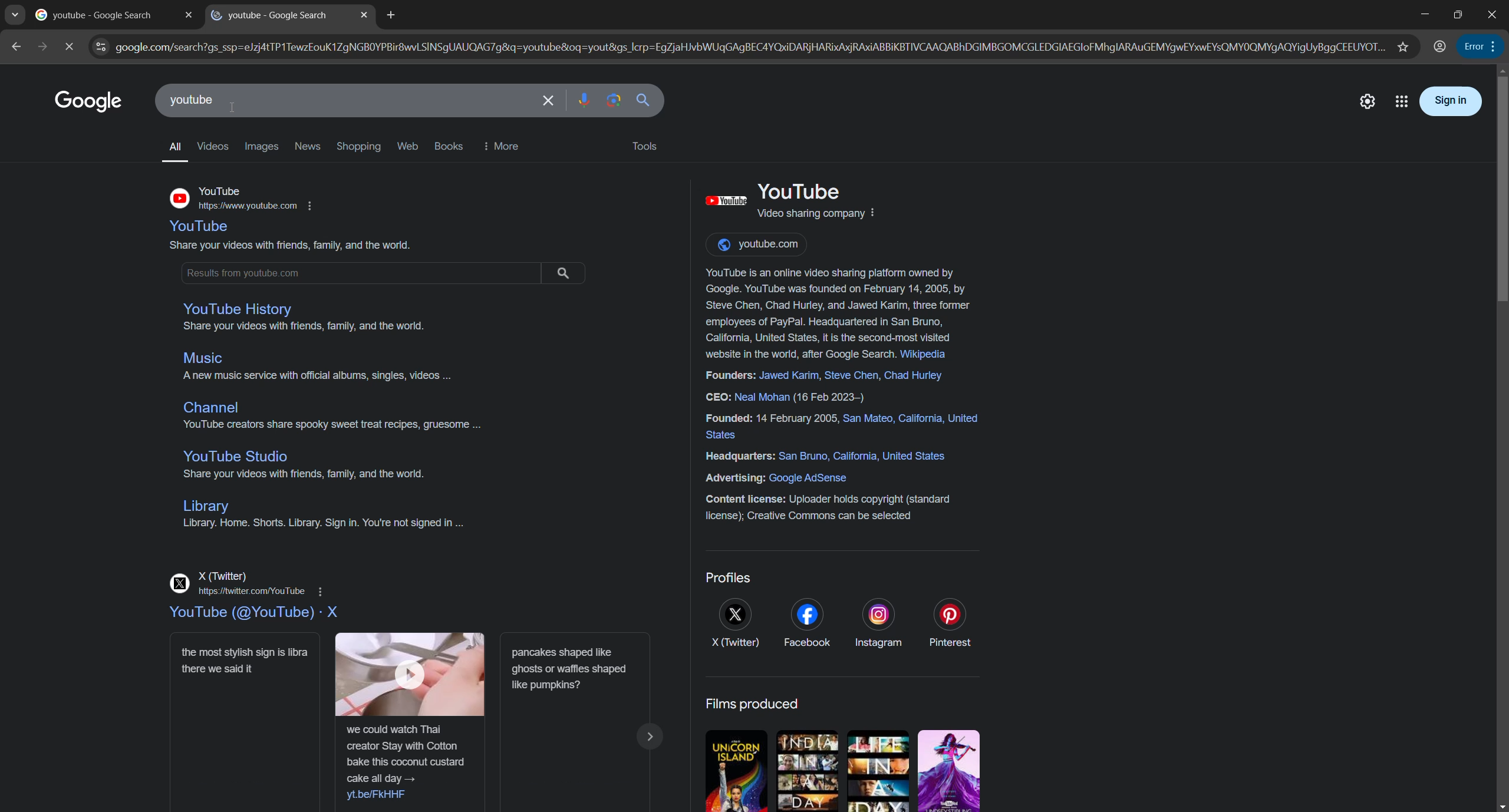  I want to click on google, so click(85, 100).